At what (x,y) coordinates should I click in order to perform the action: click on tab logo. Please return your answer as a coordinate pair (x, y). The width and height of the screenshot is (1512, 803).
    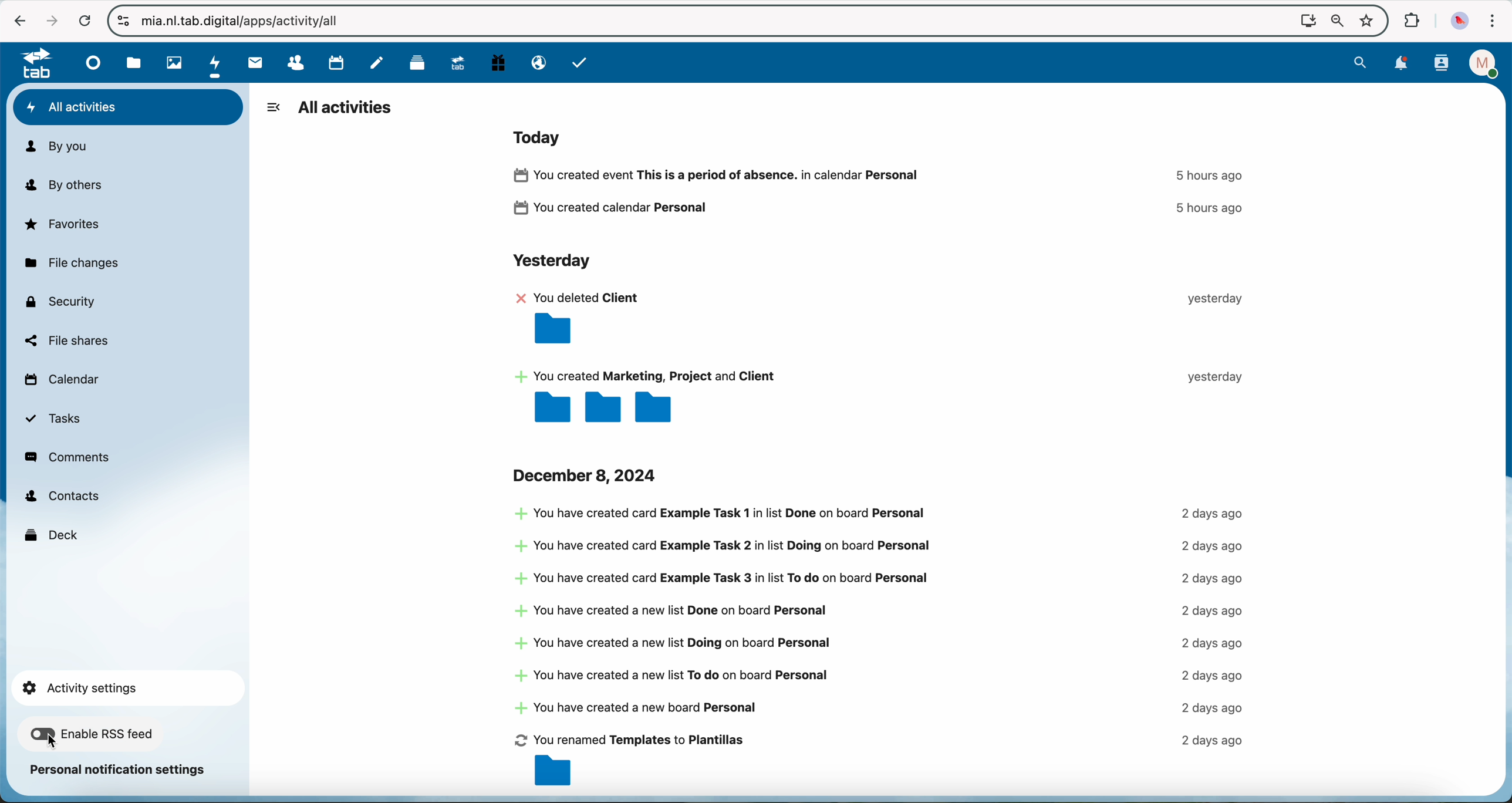
    Looking at the image, I should click on (31, 64).